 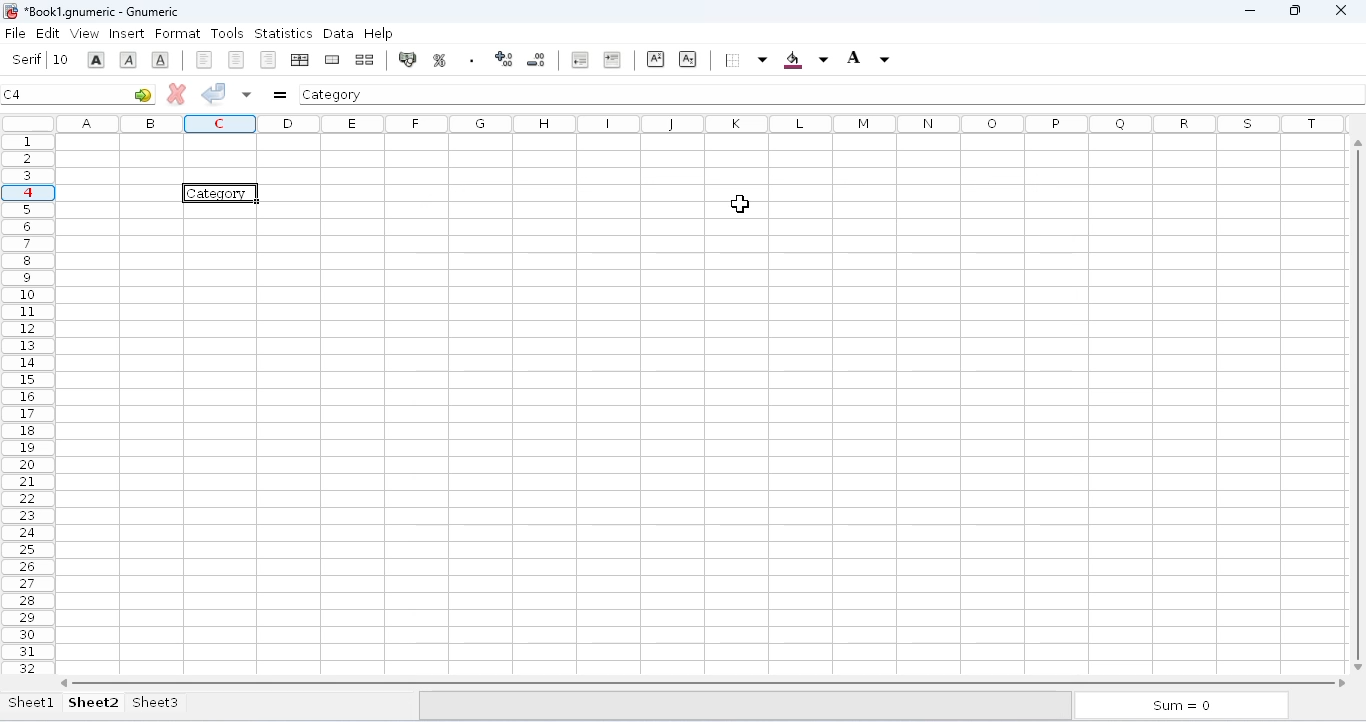 What do you see at coordinates (741, 204) in the screenshot?
I see `cursor` at bounding box center [741, 204].